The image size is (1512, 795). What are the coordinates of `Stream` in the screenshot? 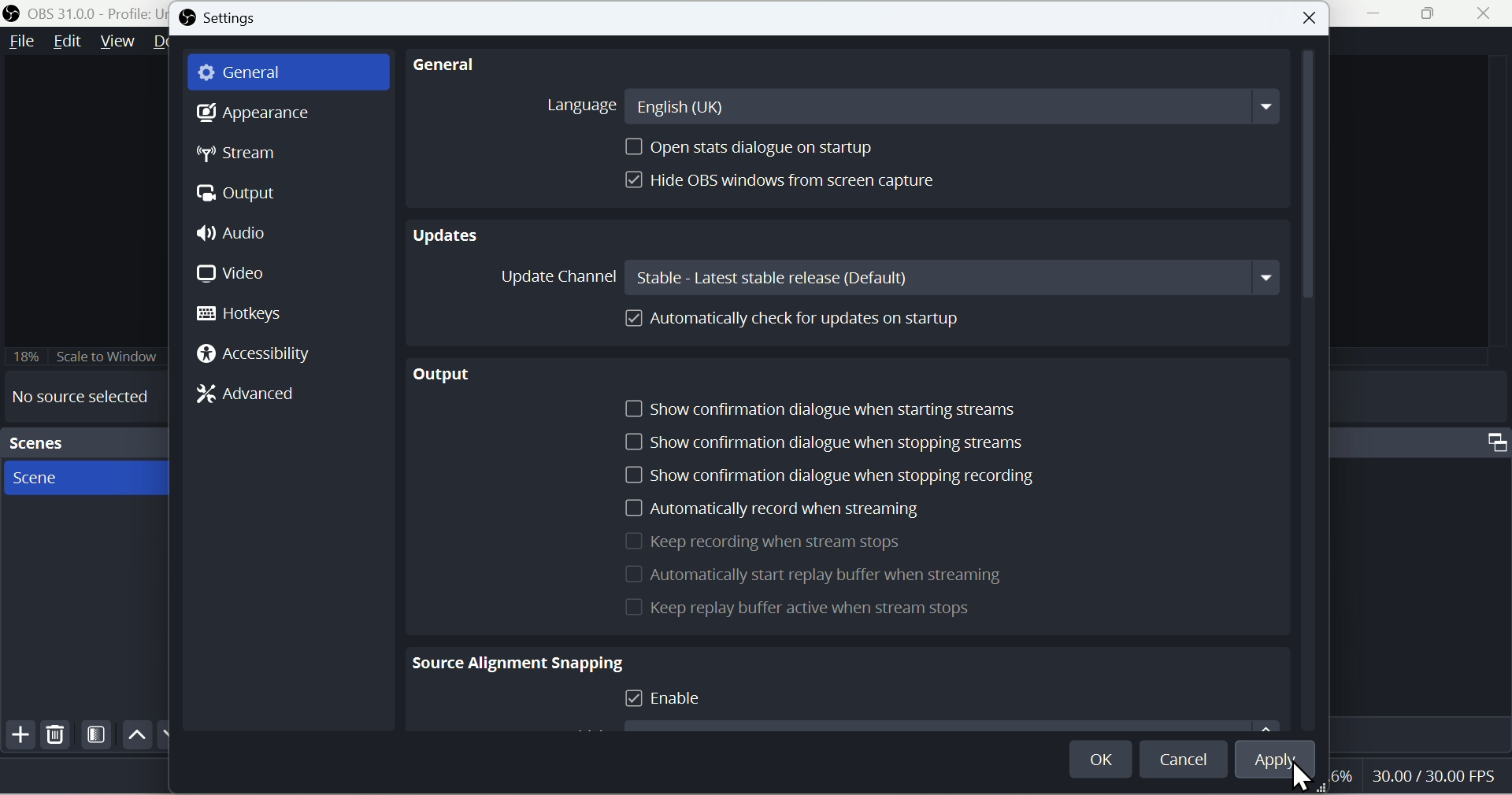 It's located at (239, 156).